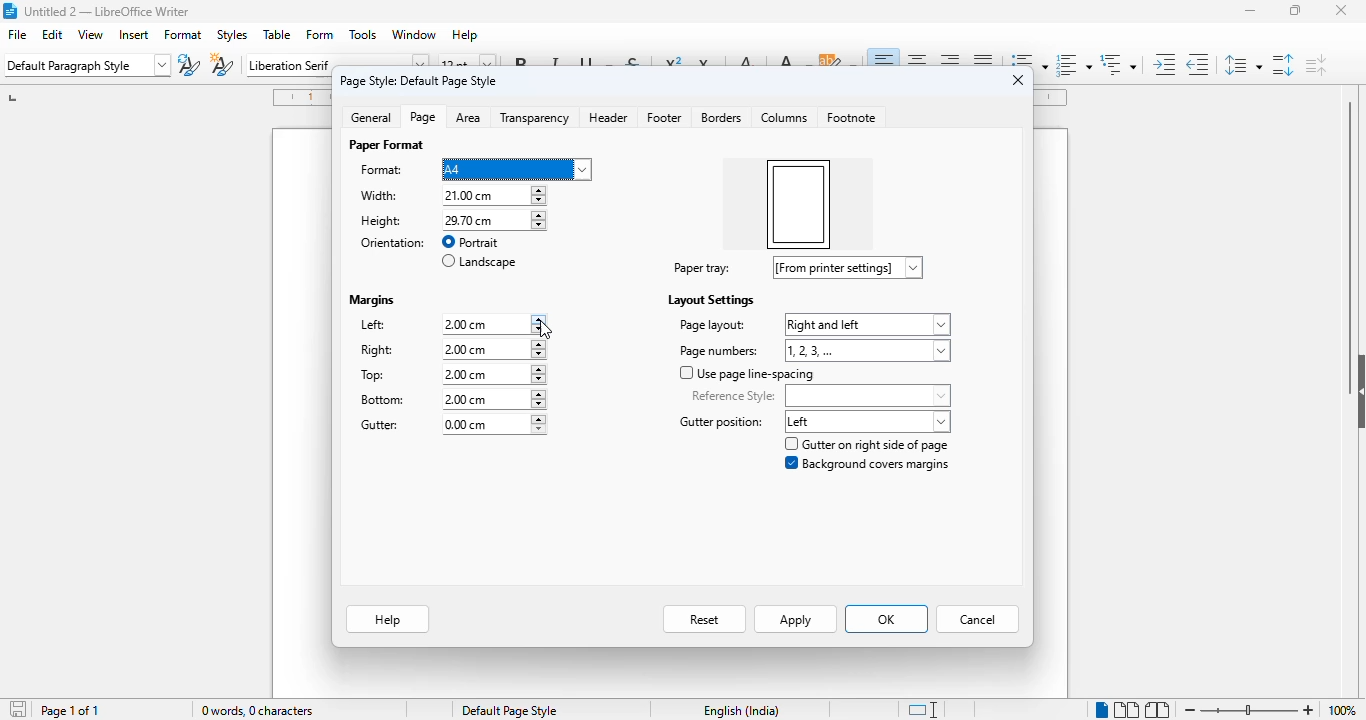 Image resolution: width=1366 pixels, height=720 pixels. I want to click on page layout options, so click(869, 323).